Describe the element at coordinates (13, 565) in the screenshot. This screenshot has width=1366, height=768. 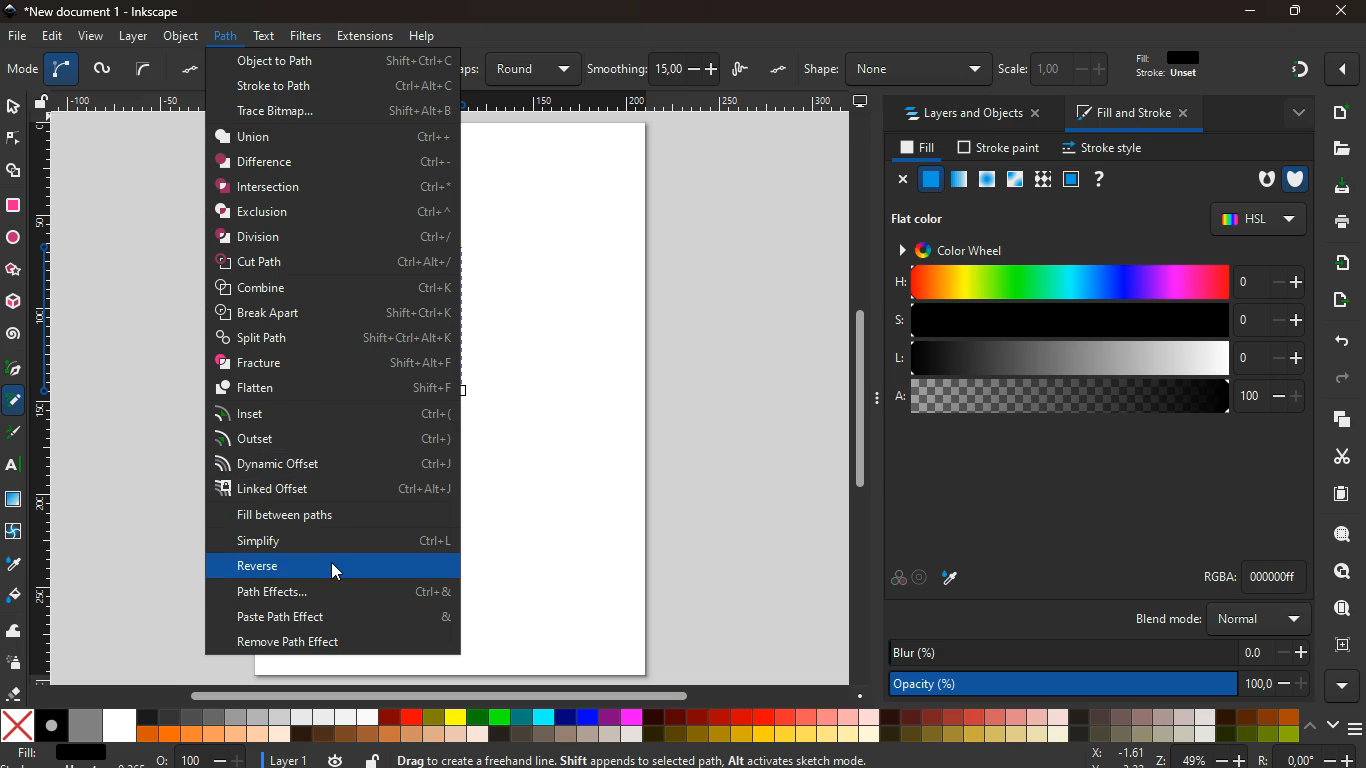
I see `drop` at that location.